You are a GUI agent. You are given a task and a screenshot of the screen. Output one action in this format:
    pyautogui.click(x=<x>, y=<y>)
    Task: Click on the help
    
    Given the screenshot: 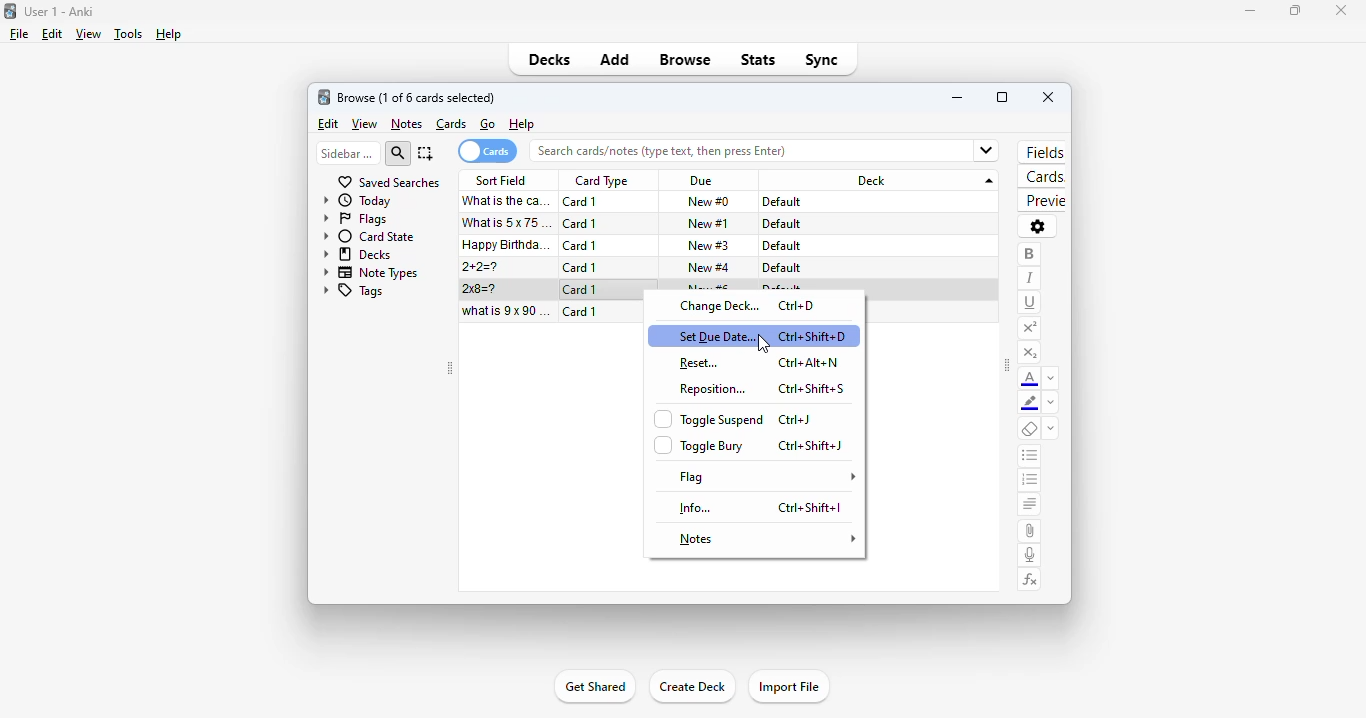 What is the action you would take?
    pyautogui.click(x=168, y=34)
    